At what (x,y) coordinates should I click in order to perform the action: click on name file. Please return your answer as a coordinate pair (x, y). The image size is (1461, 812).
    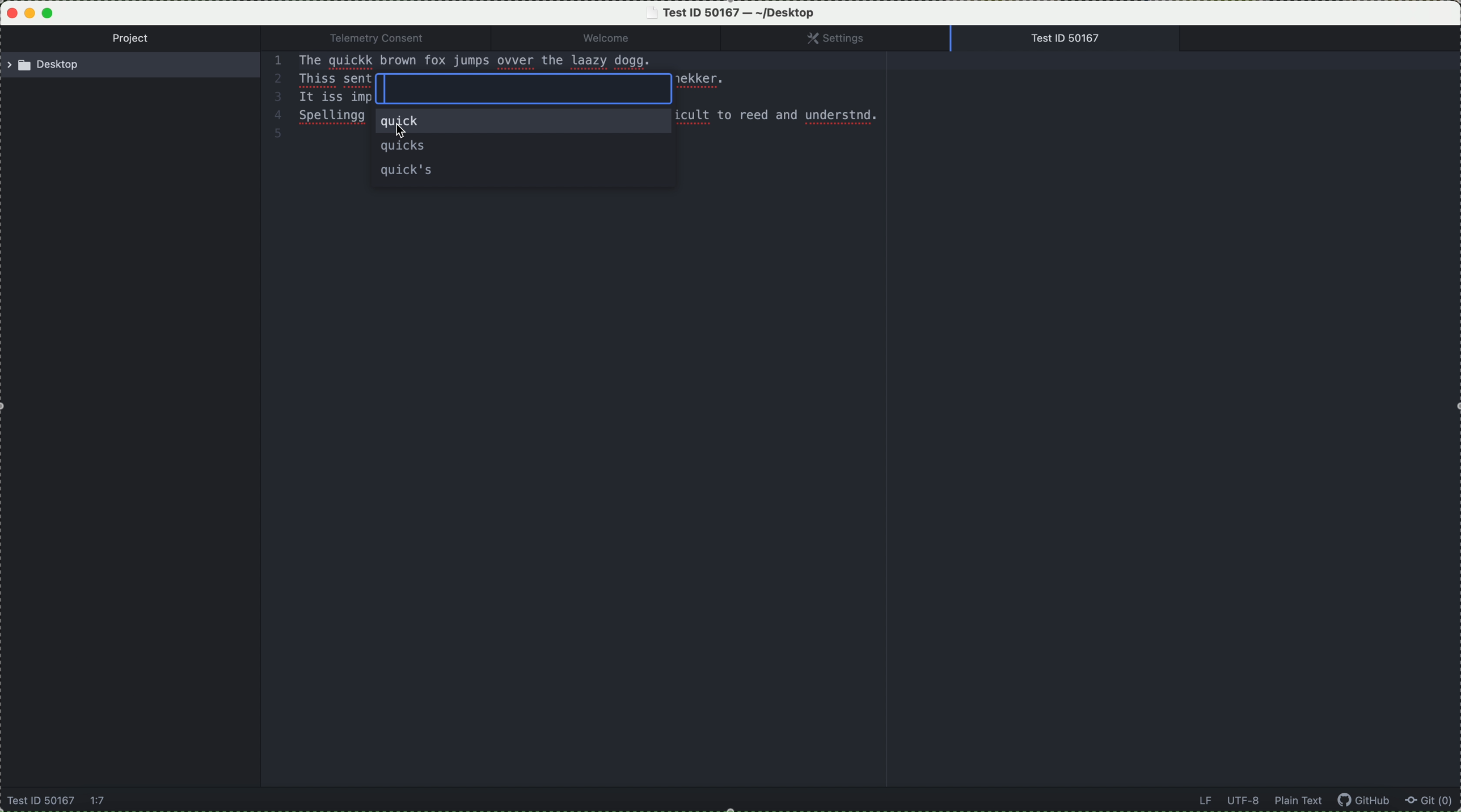
    Looking at the image, I should click on (40, 802).